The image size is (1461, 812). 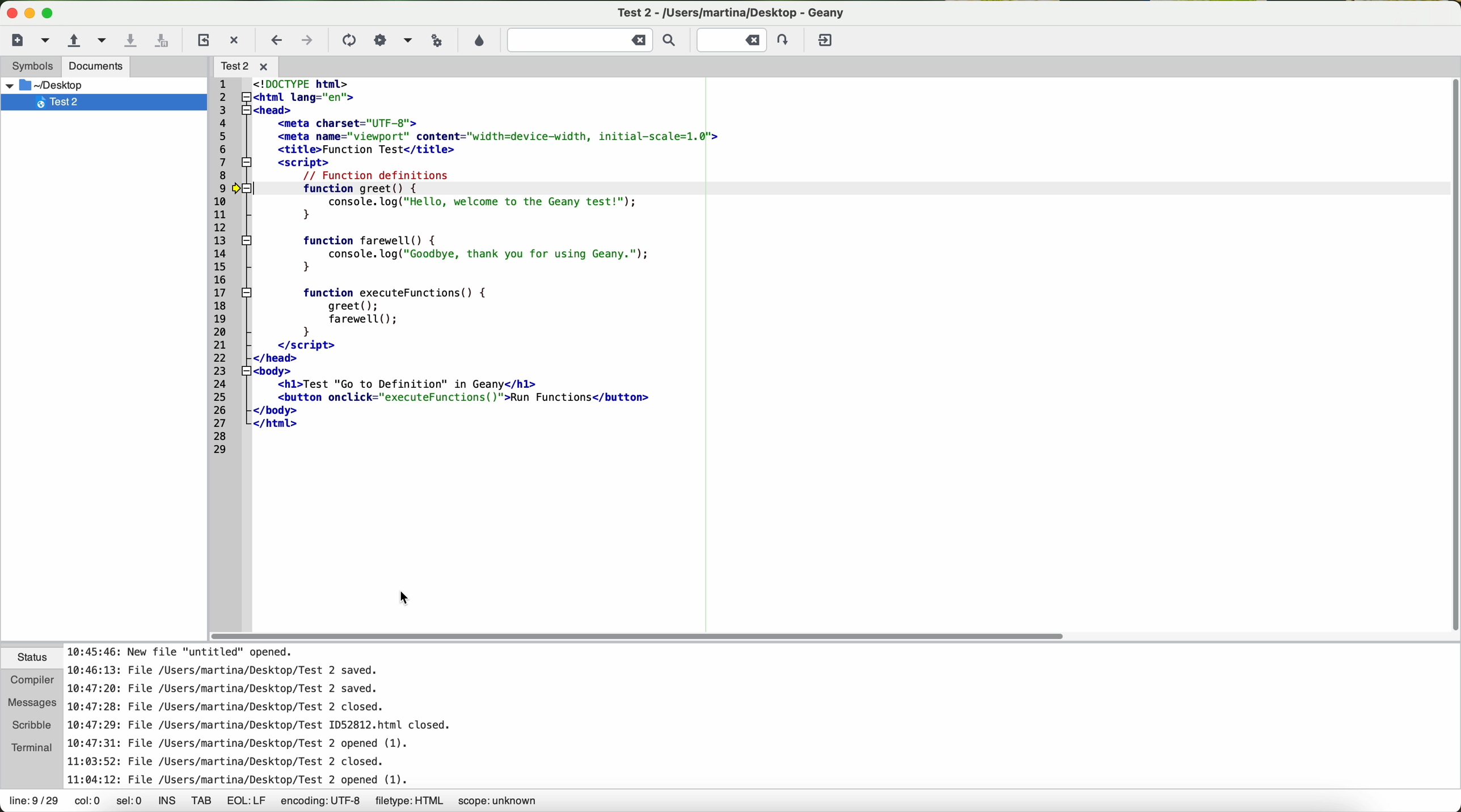 What do you see at coordinates (307, 42) in the screenshot?
I see `navigate foward` at bounding box center [307, 42].